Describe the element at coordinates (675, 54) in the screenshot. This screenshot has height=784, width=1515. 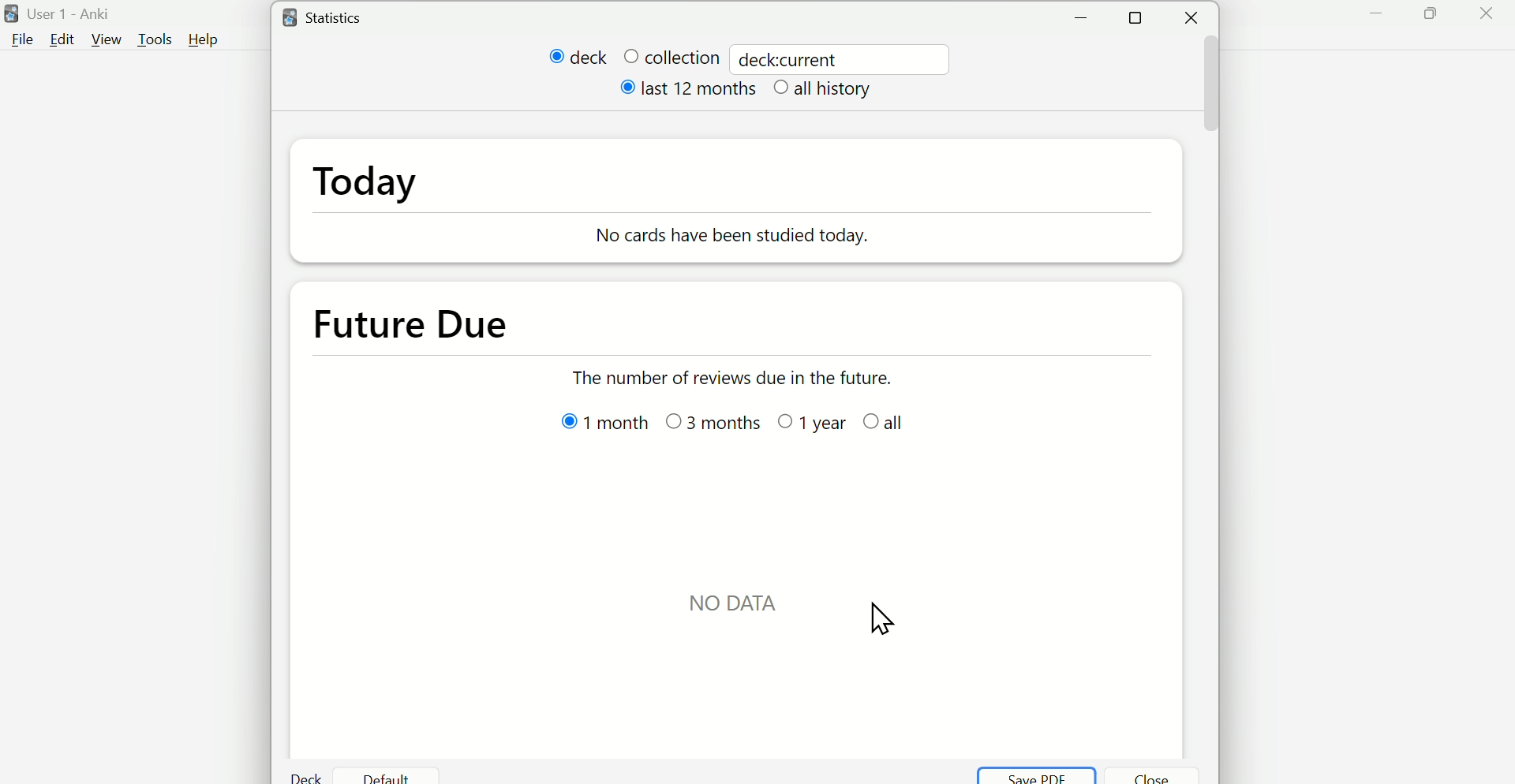
I see `collection` at that location.